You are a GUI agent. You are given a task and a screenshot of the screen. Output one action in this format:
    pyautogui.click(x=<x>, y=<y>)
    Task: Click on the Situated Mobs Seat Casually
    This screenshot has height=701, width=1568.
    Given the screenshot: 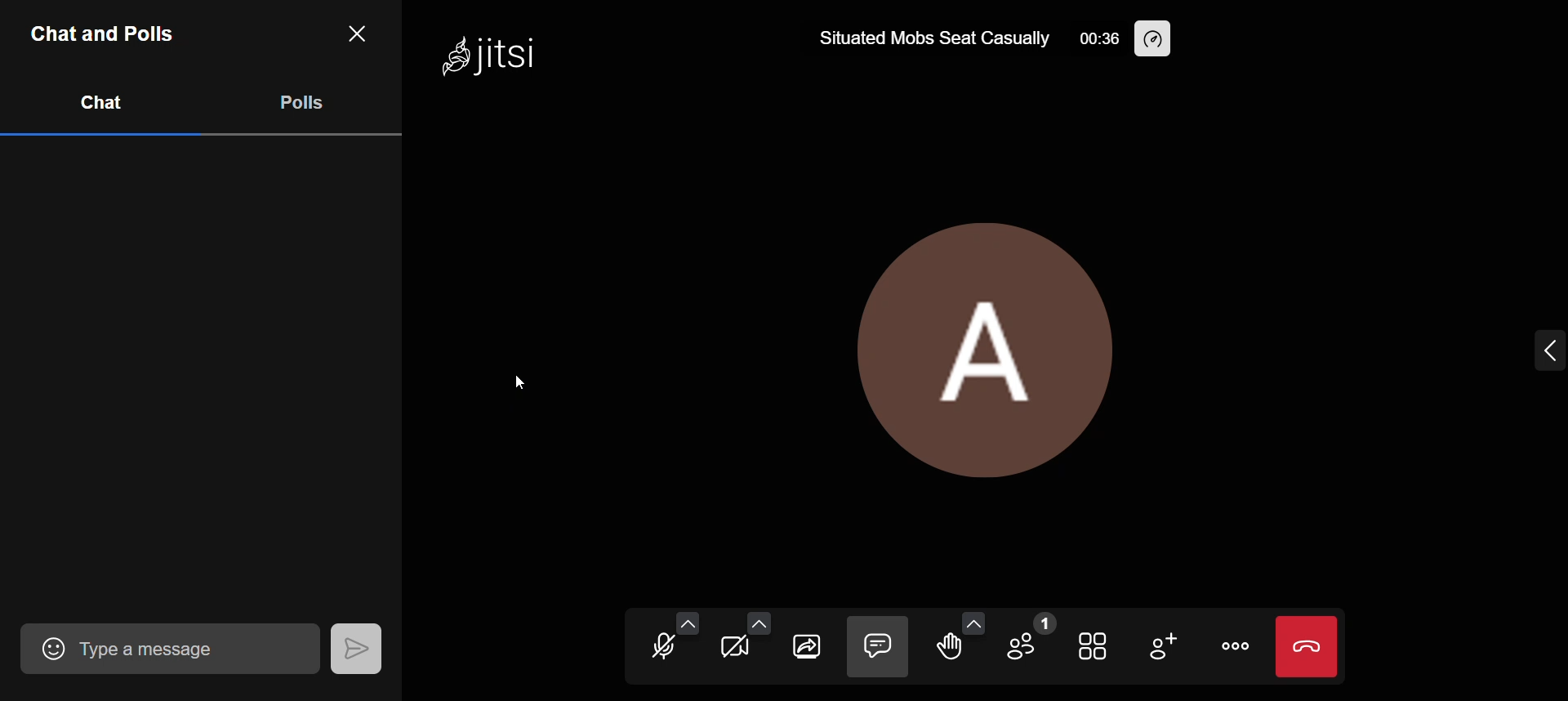 What is the action you would take?
    pyautogui.click(x=934, y=40)
    